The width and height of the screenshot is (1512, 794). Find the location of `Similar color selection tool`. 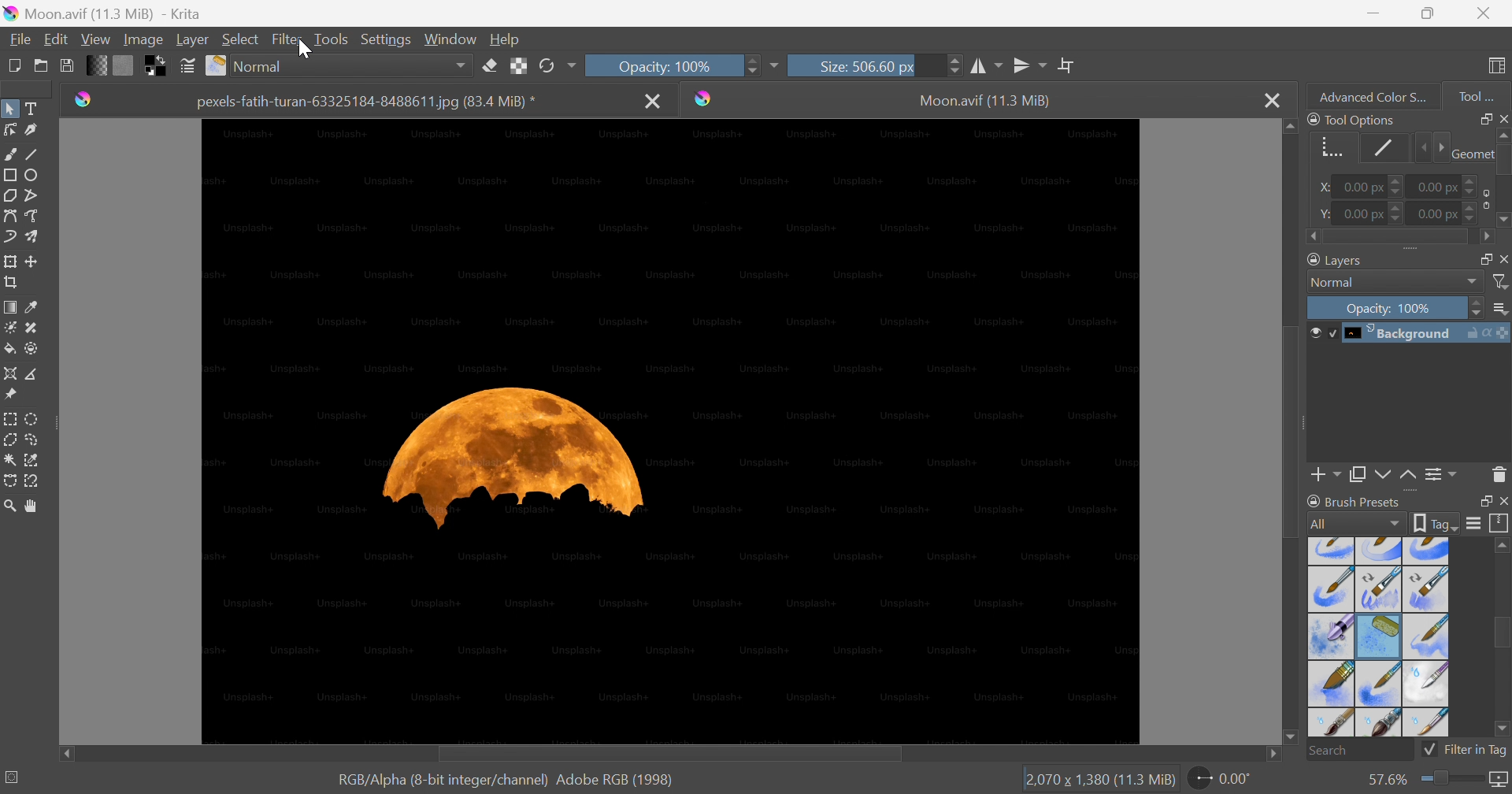

Similar color selection tool is located at coordinates (32, 461).